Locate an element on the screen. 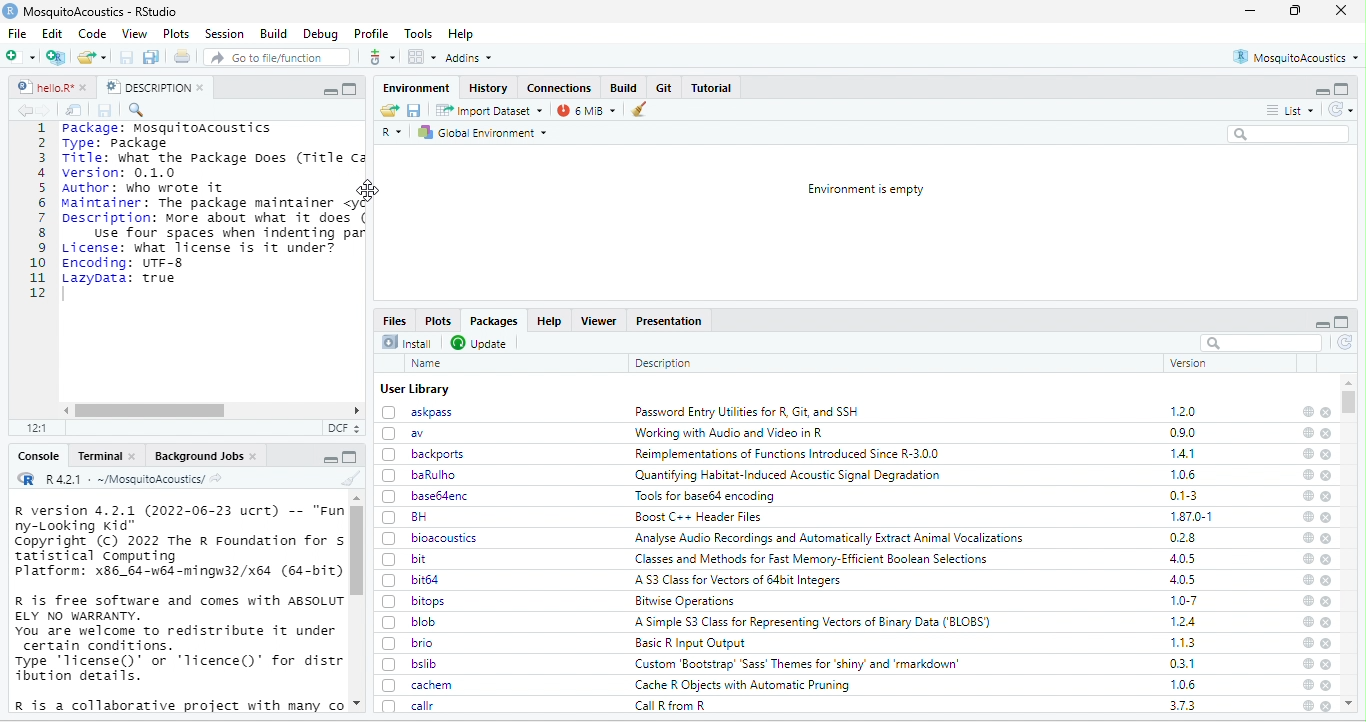 This screenshot has height=722, width=1366. close is located at coordinates (1325, 559).